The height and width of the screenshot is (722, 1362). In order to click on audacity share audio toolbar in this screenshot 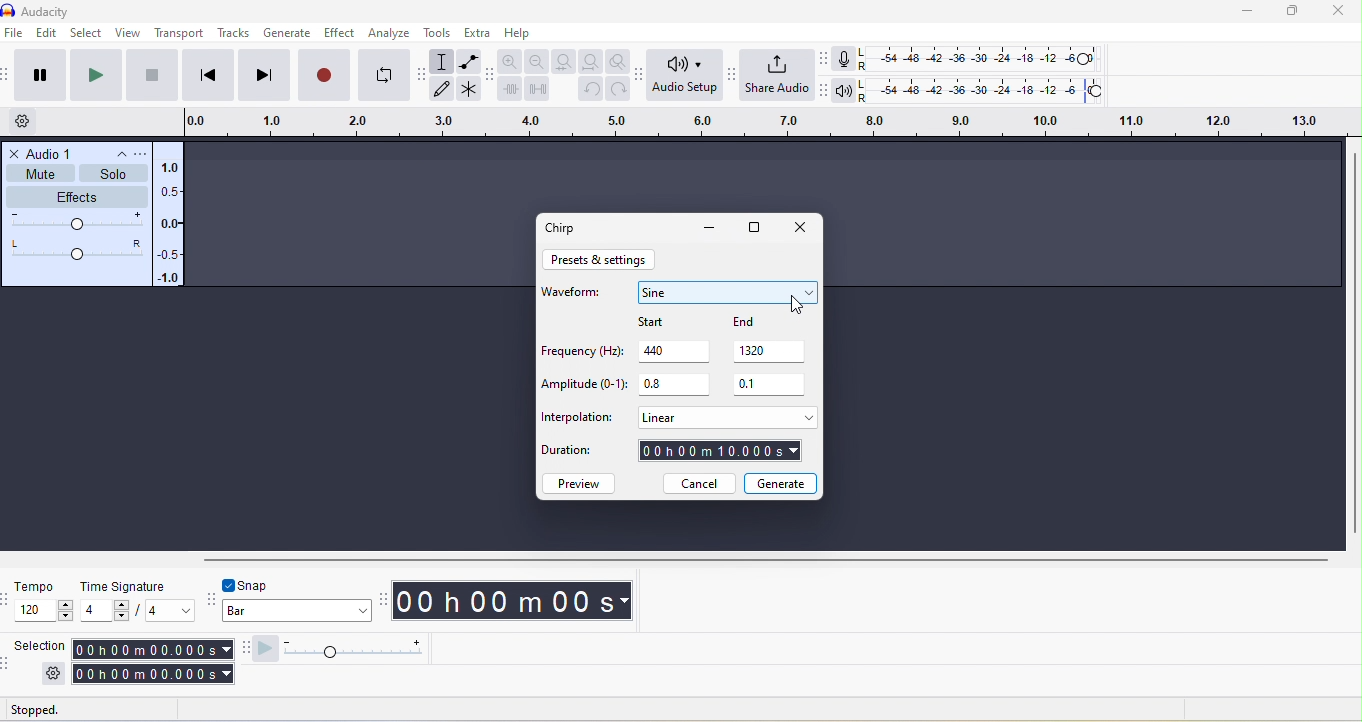, I will do `click(736, 80)`.